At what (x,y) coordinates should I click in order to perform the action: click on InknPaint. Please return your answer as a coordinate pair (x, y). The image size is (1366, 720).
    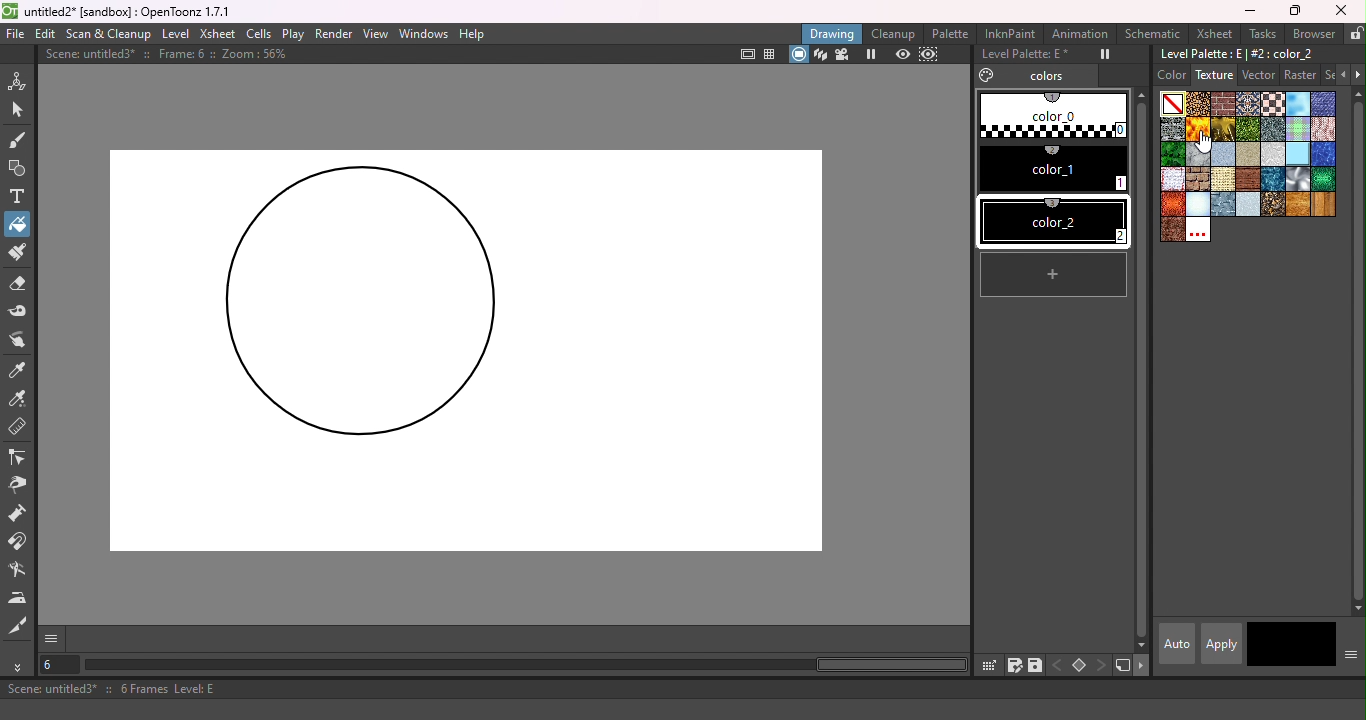
    Looking at the image, I should click on (1013, 33).